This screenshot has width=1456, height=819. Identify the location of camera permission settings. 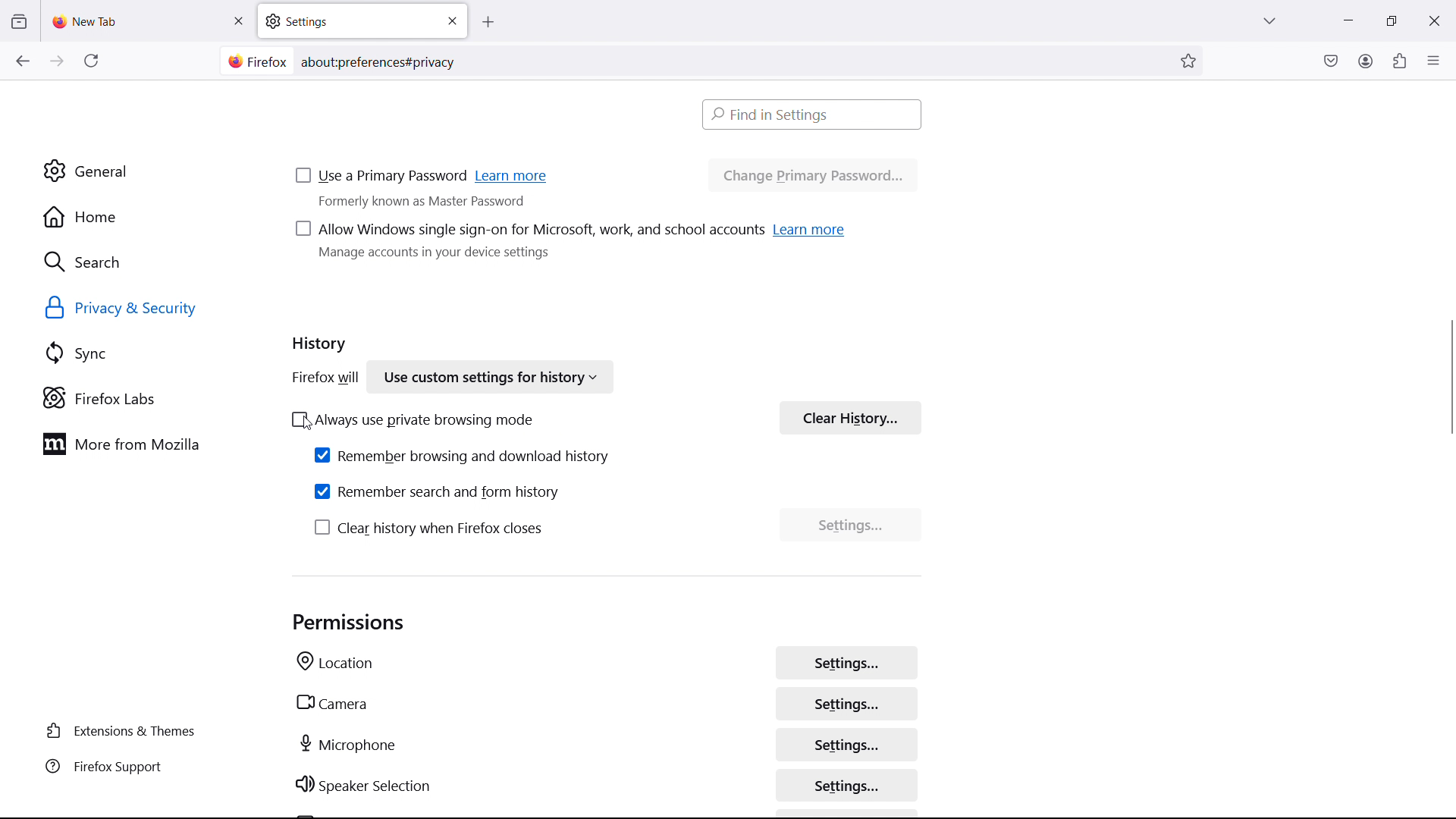
(846, 704).